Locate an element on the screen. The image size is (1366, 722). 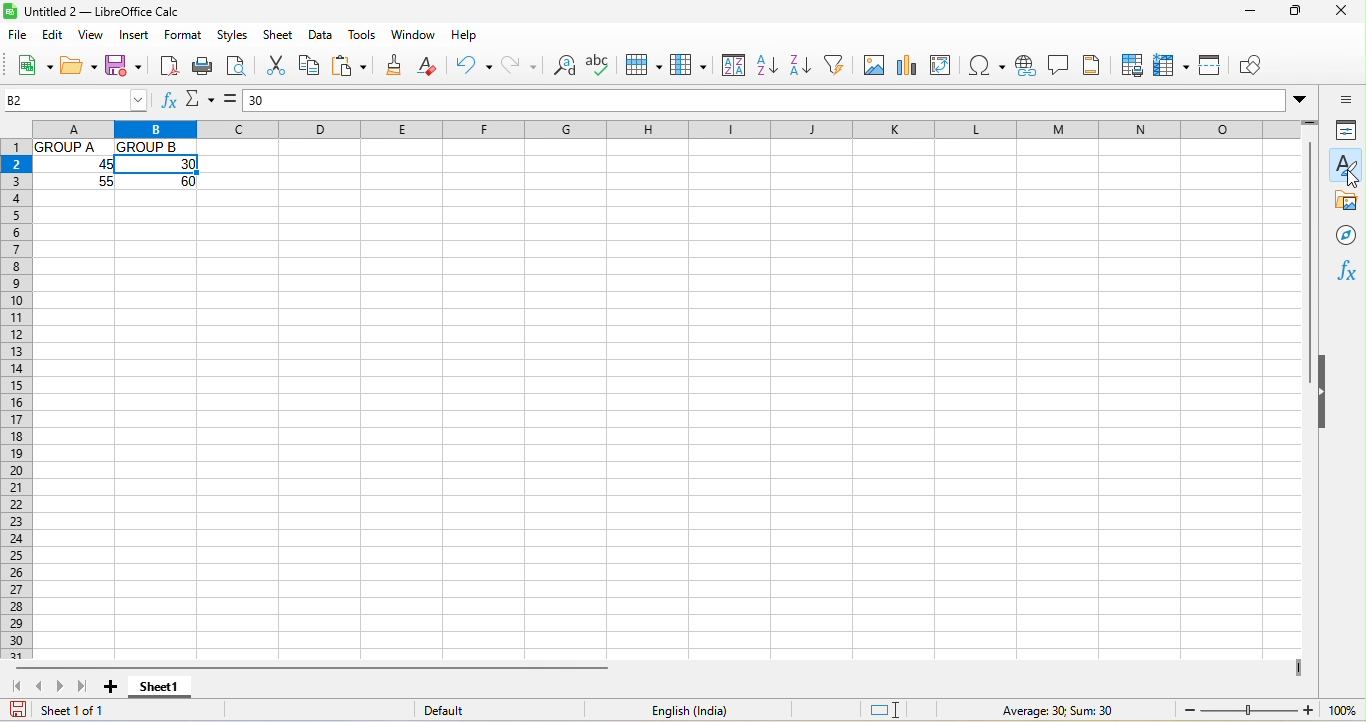
column is located at coordinates (688, 65).